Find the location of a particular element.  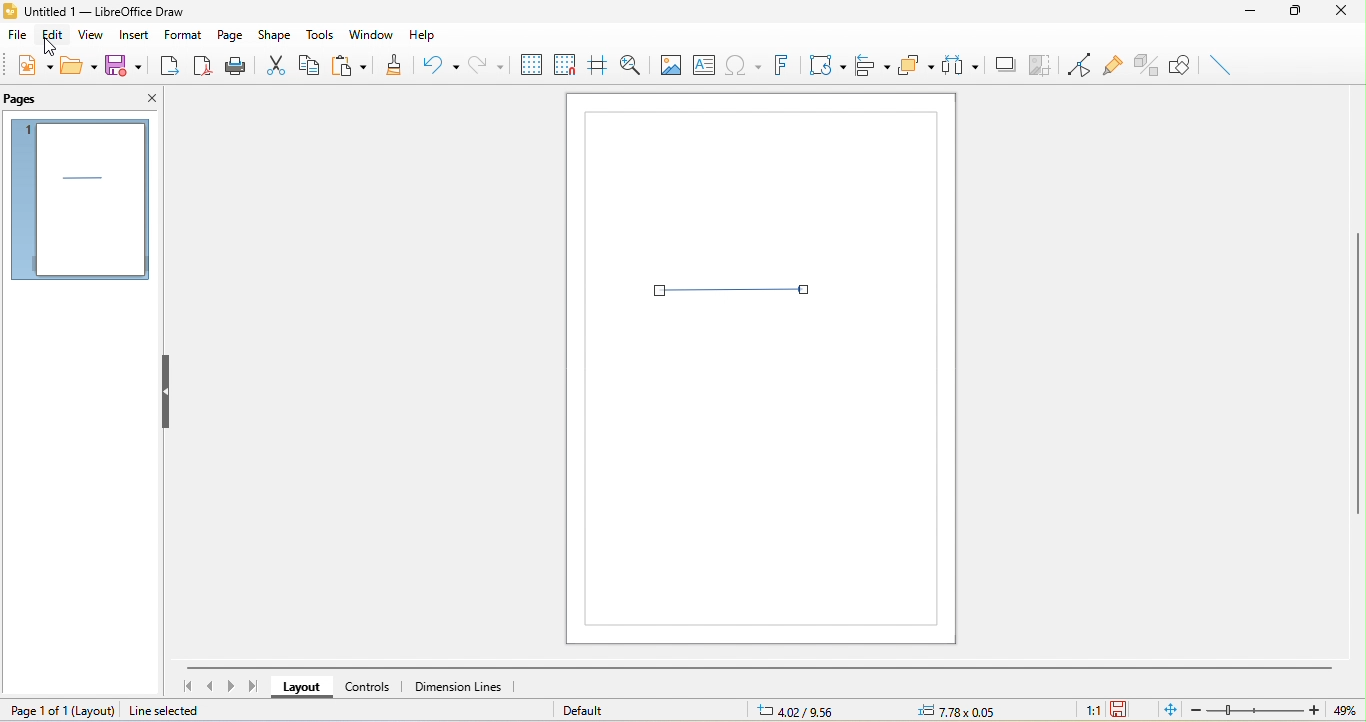

close is located at coordinates (148, 101).